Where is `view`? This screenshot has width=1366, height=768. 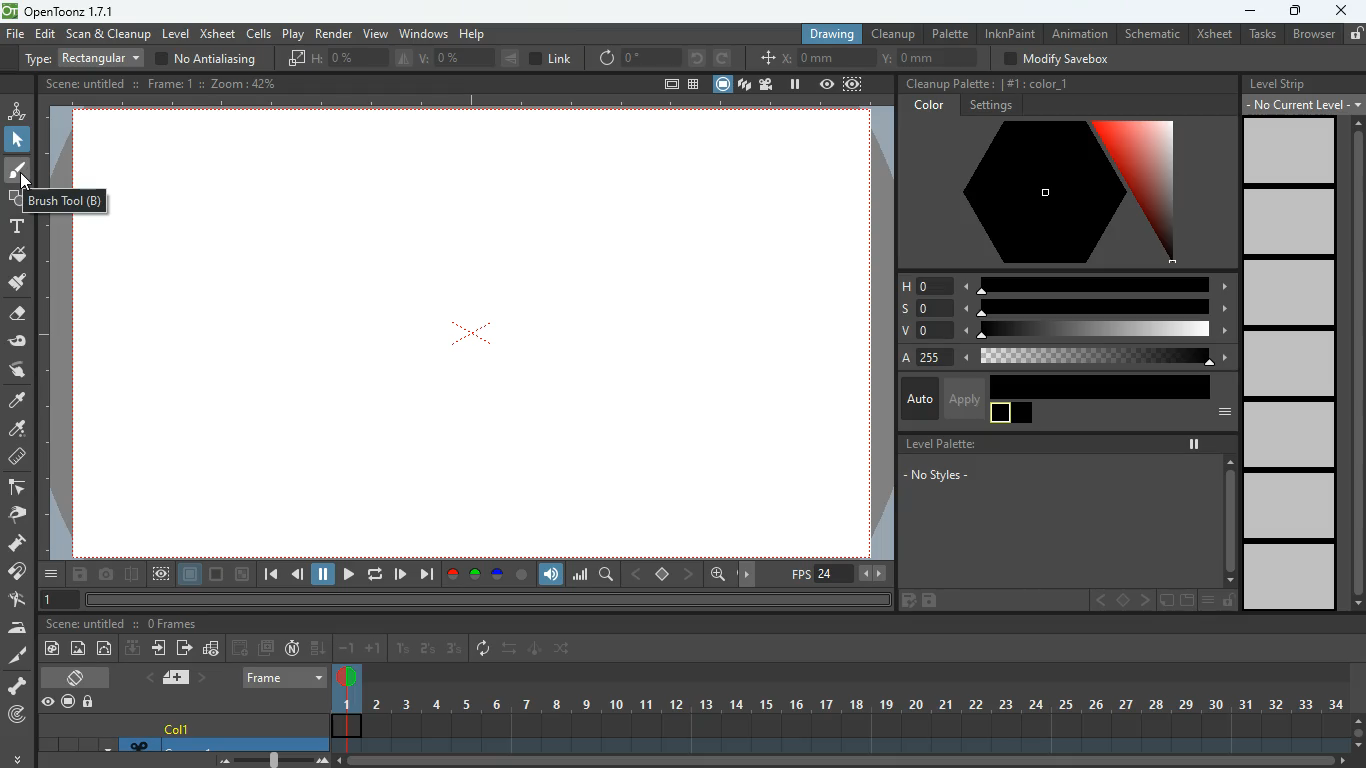 view is located at coordinates (827, 84).